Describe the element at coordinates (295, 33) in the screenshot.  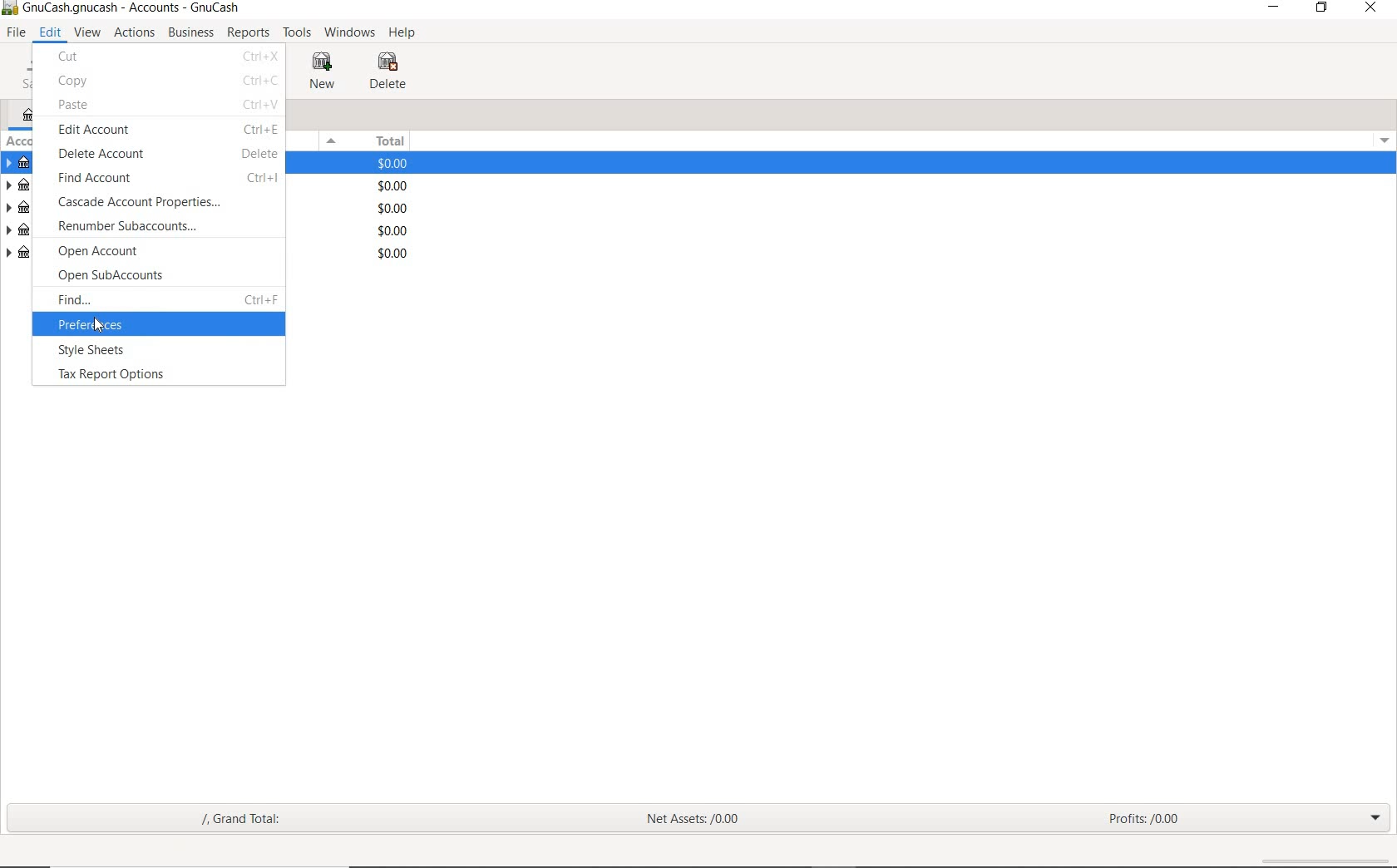
I see `TOOLS` at that location.